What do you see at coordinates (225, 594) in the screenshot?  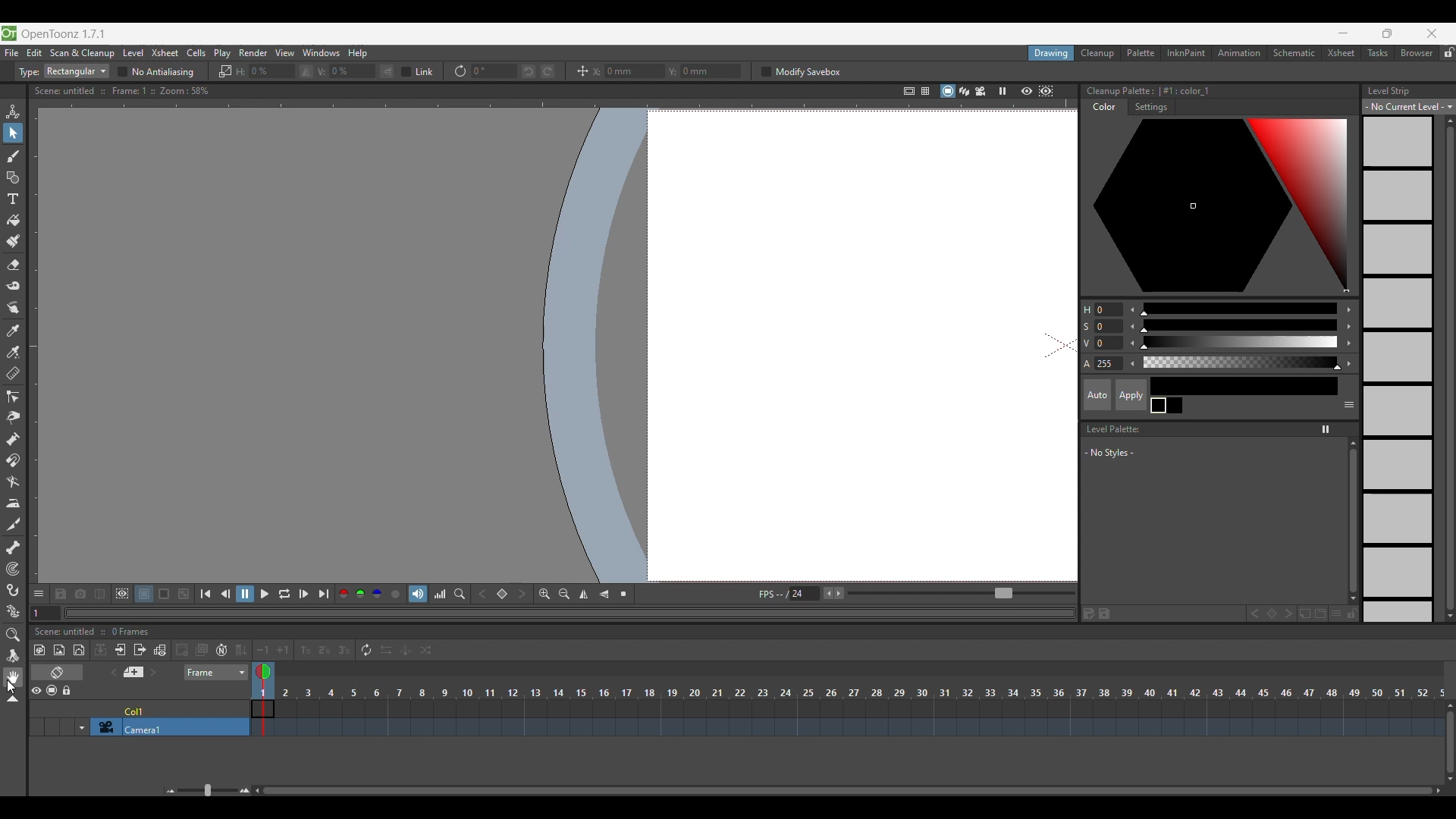 I see `Previous frame` at bounding box center [225, 594].